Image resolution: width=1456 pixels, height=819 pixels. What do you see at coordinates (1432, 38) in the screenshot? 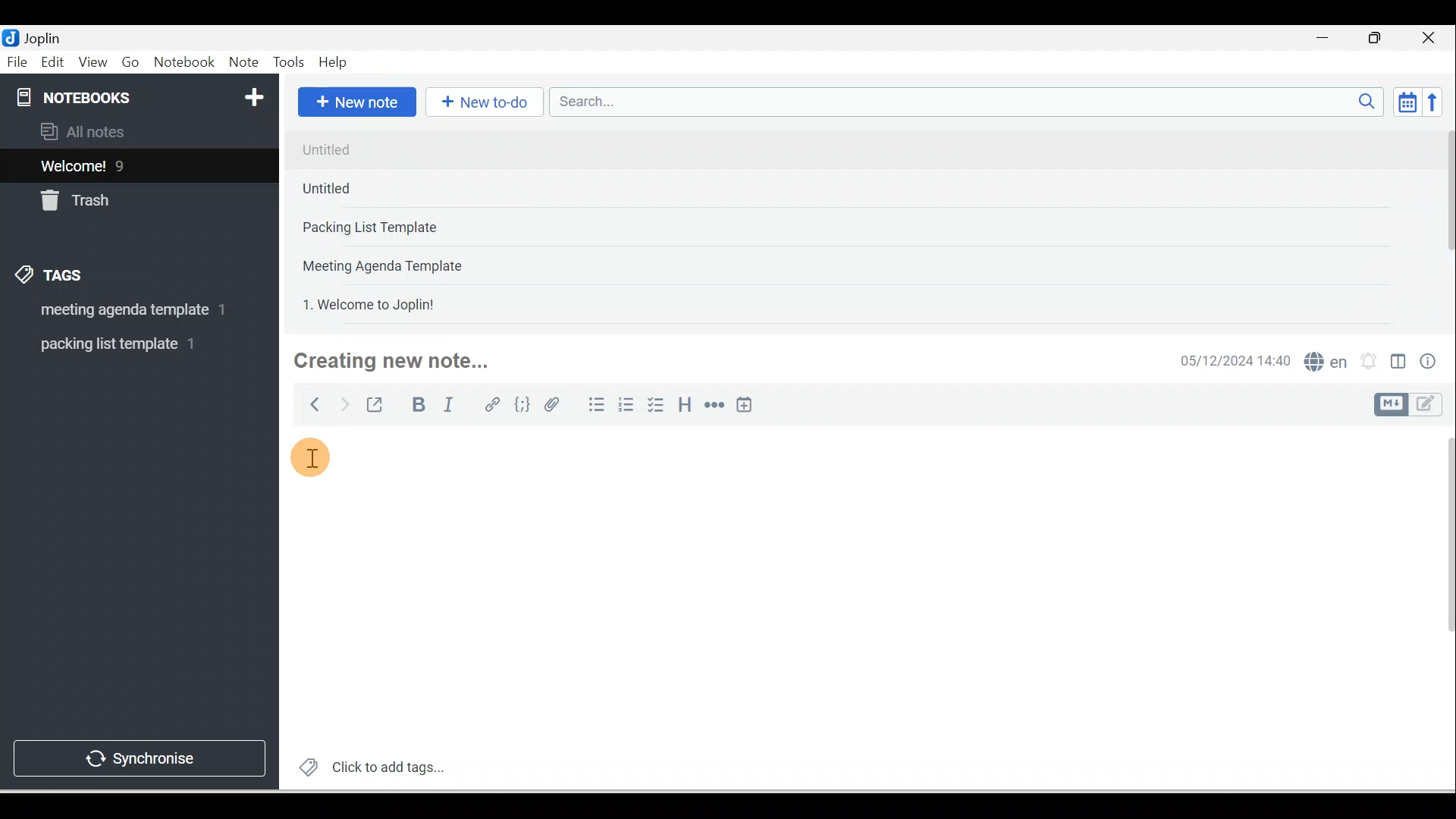
I see `Close` at bounding box center [1432, 38].